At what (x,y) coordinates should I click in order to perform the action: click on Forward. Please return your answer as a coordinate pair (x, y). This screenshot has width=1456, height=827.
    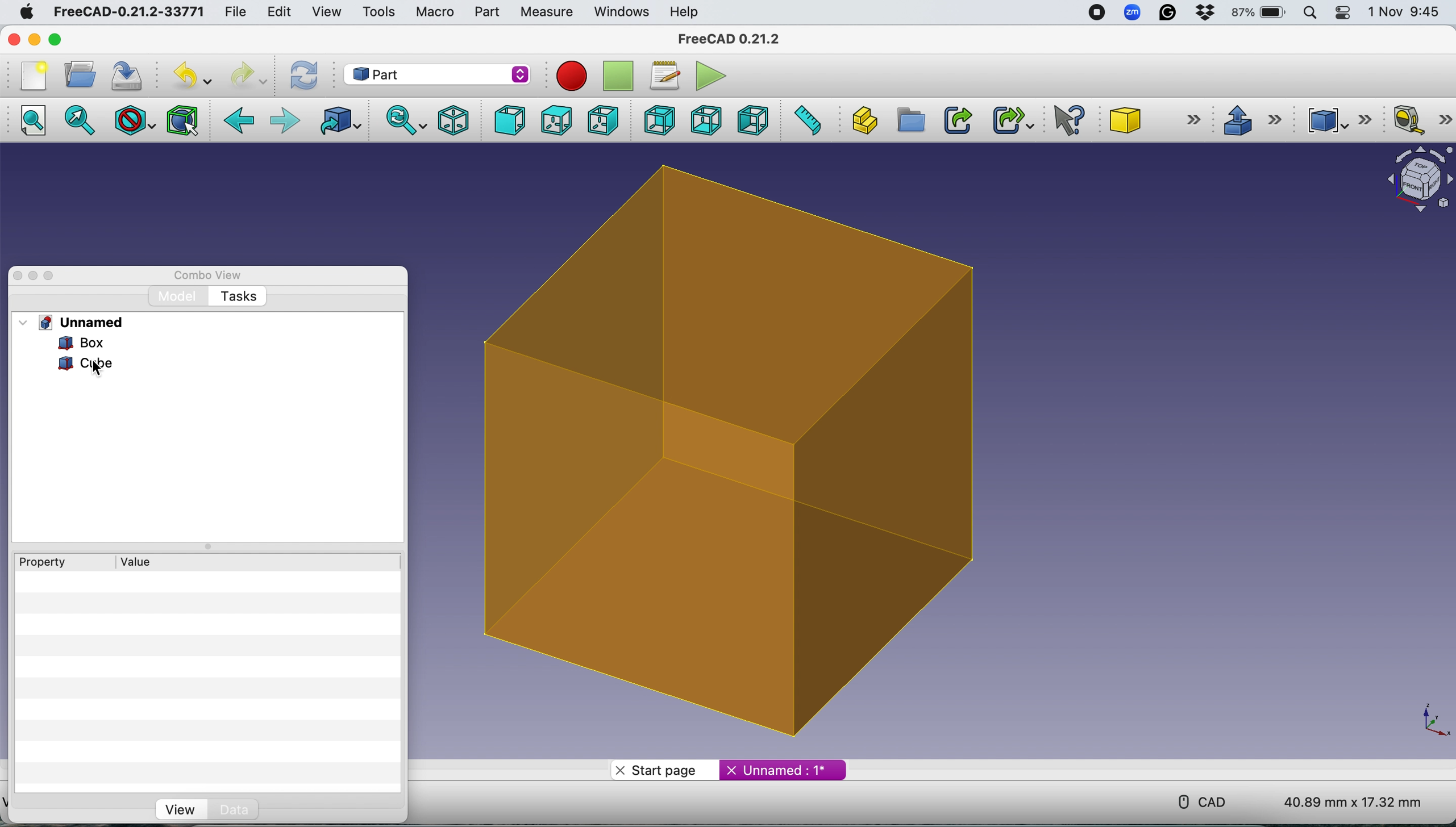
    Looking at the image, I should click on (285, 122).